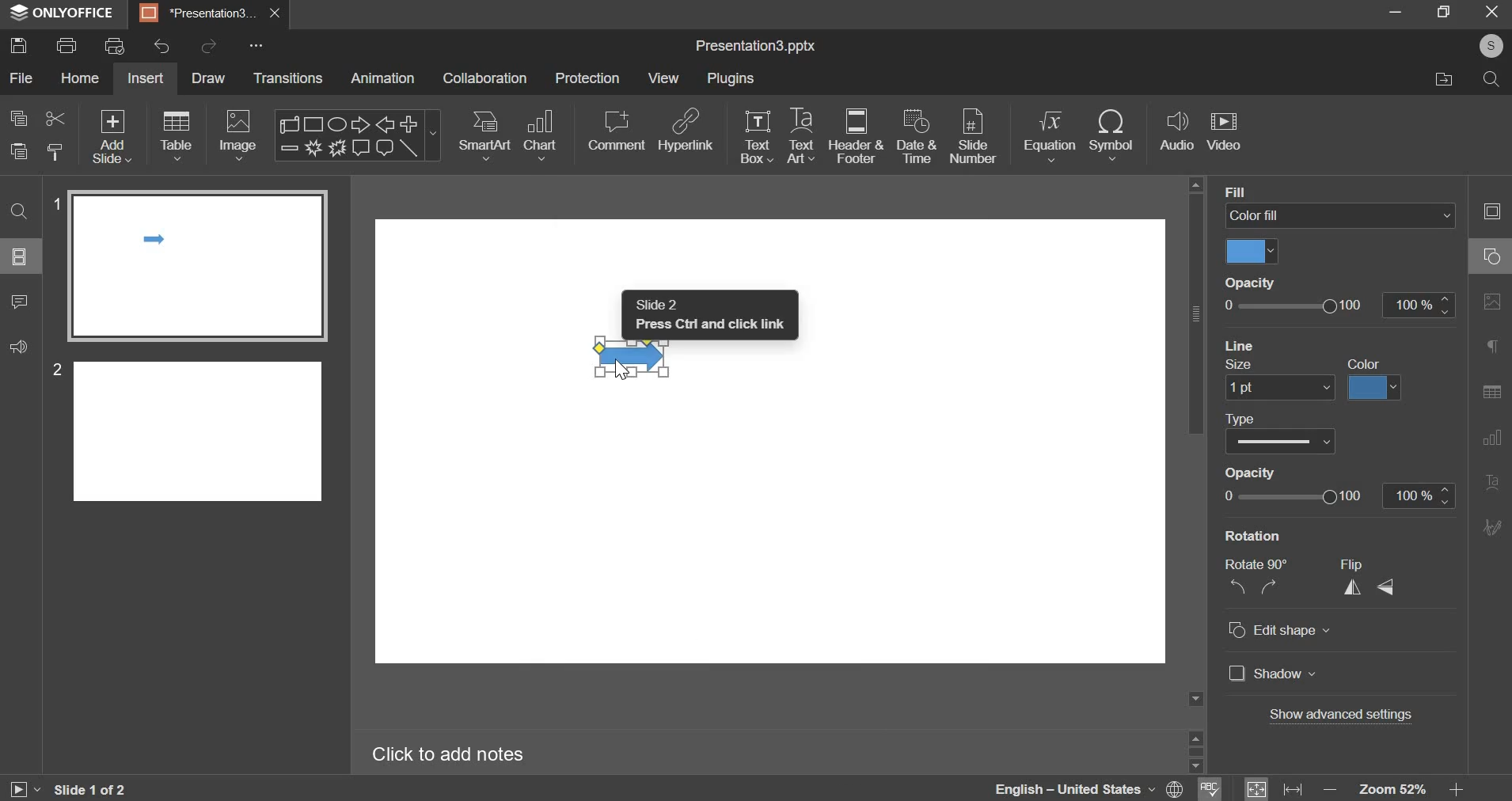 The width and height of the screenshot is (1512, 801). What do you see at coordinates (315, 123) in the screenshot?
I see `rectangle` at bounding box center [315, 123].